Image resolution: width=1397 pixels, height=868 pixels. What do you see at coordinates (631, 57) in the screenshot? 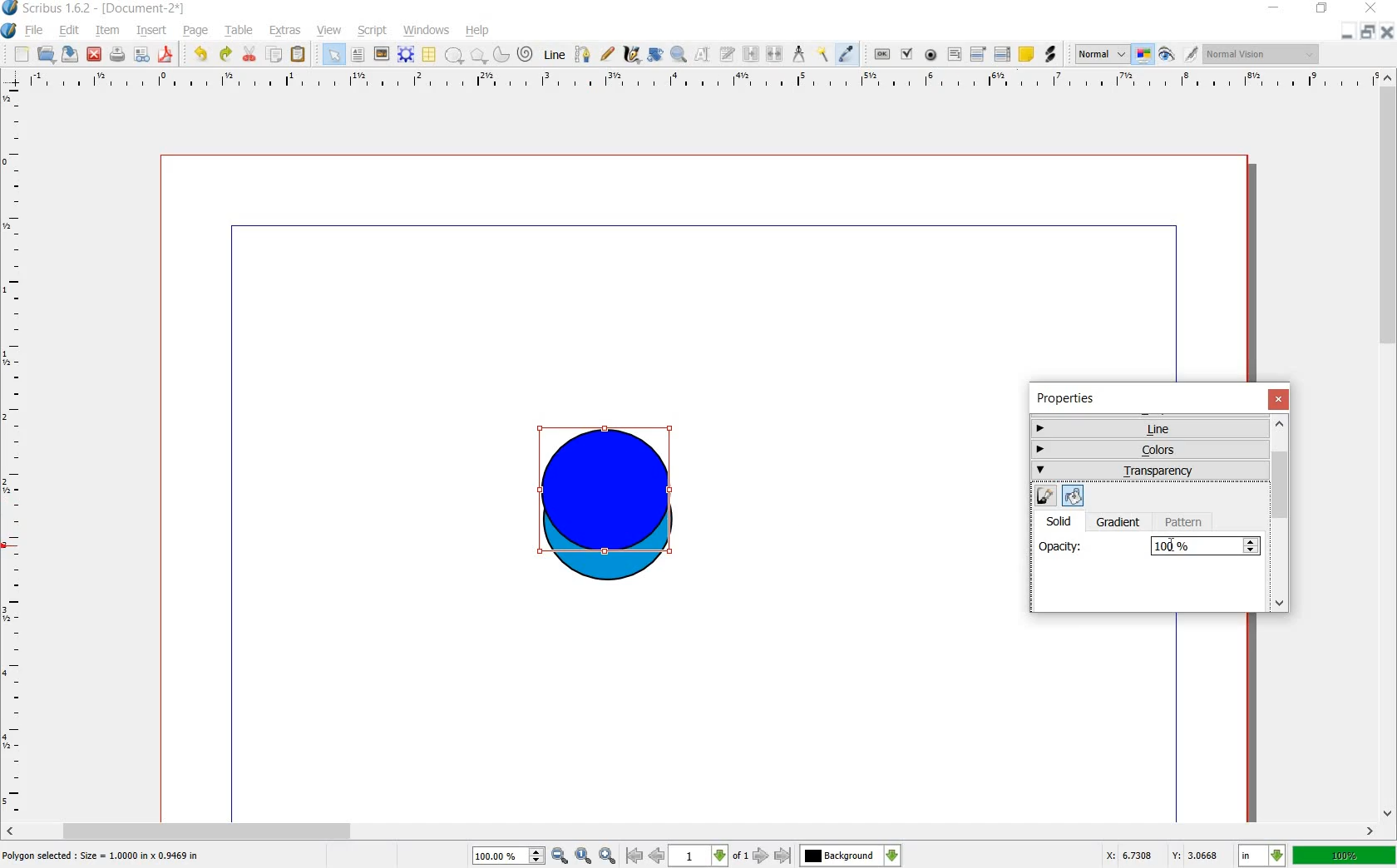
I see `calligraphic line` at bounding box center [631, 57].